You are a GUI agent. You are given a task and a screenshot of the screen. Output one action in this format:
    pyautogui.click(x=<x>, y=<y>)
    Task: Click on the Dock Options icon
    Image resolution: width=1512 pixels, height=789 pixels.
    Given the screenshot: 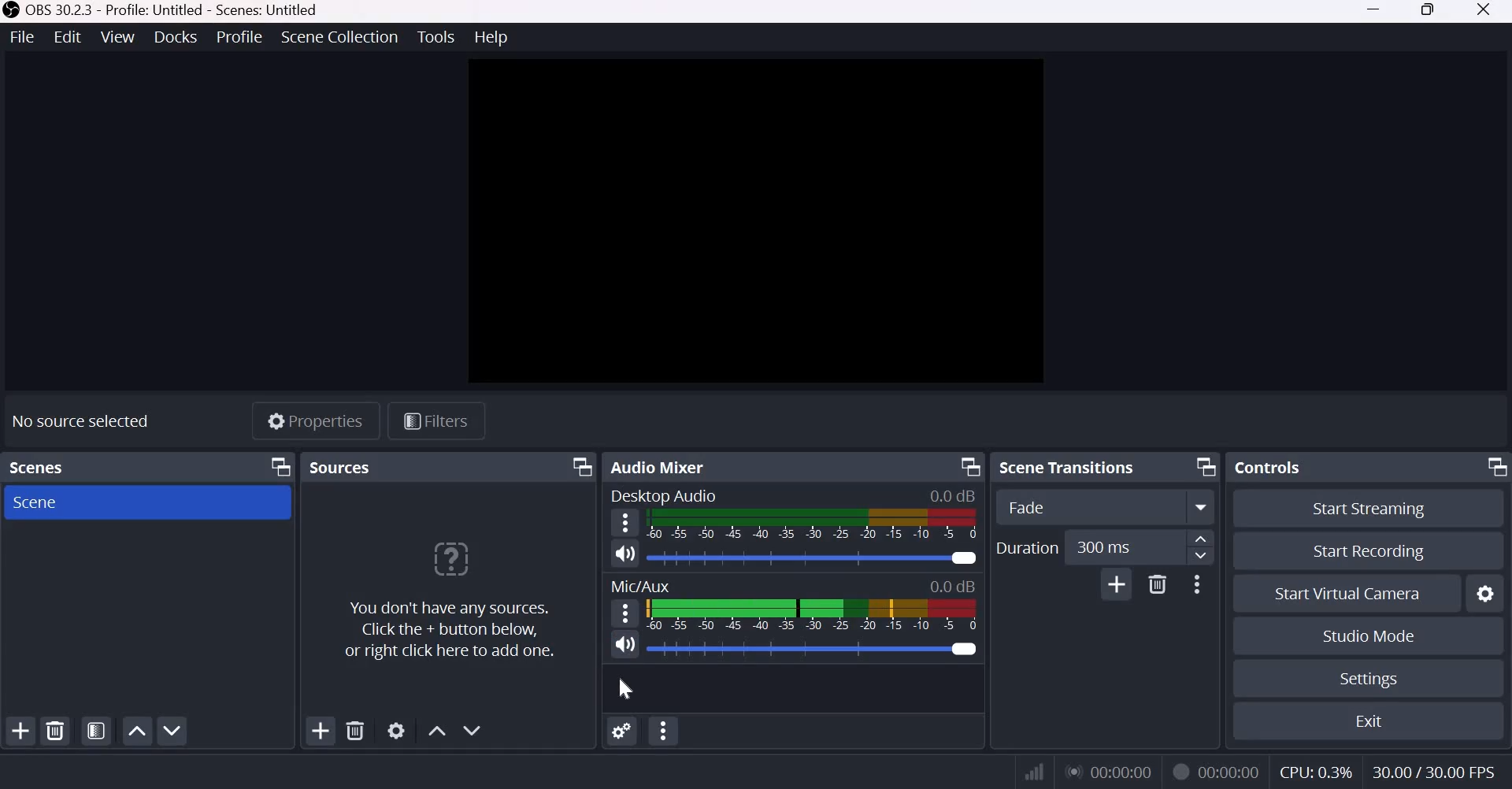 What is the action you would take?
    pyautogui.click(x=1204, y=468)
    